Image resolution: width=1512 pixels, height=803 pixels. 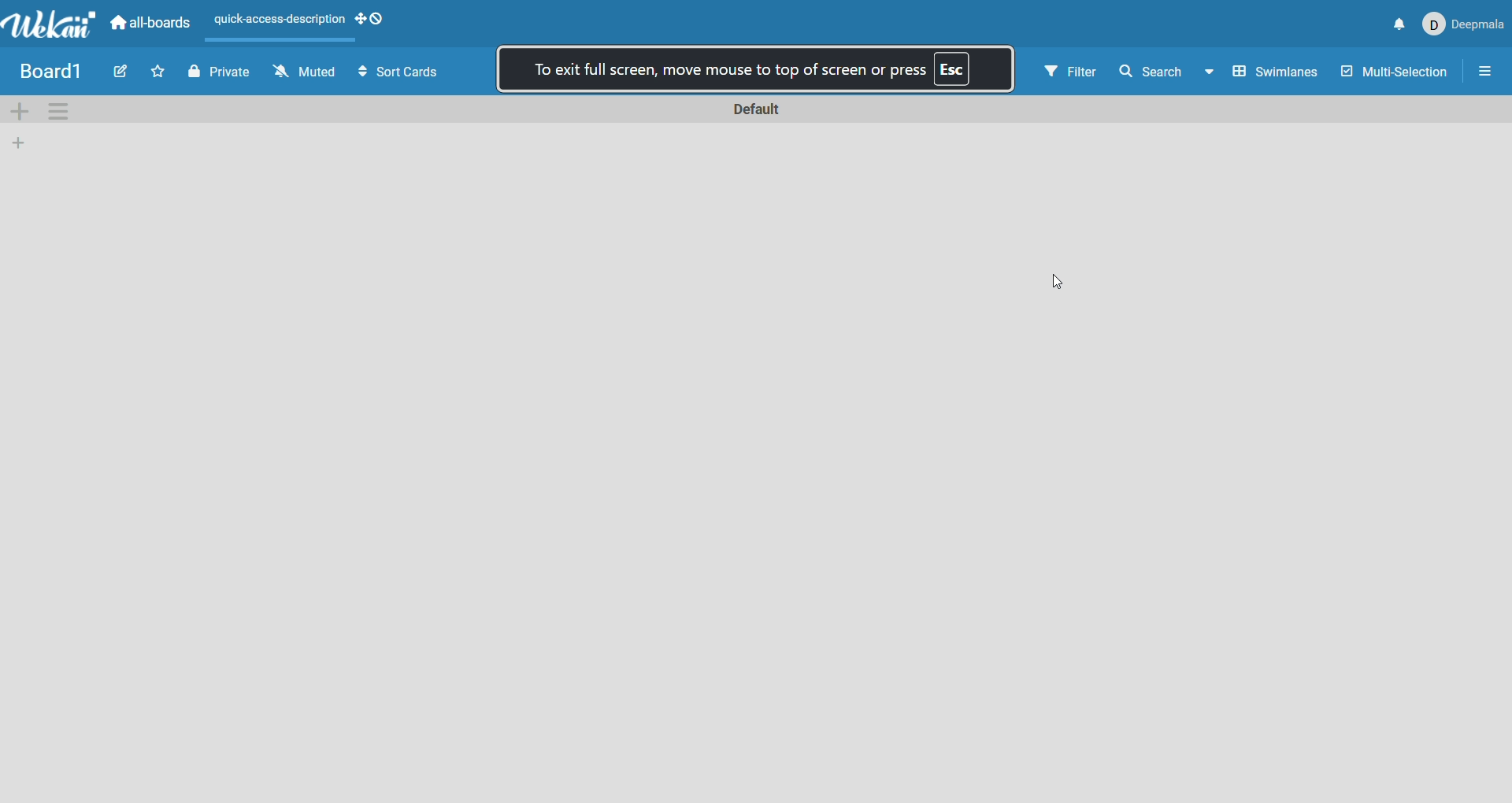 I want to click on add swimlane, so click(x=20, y=111).